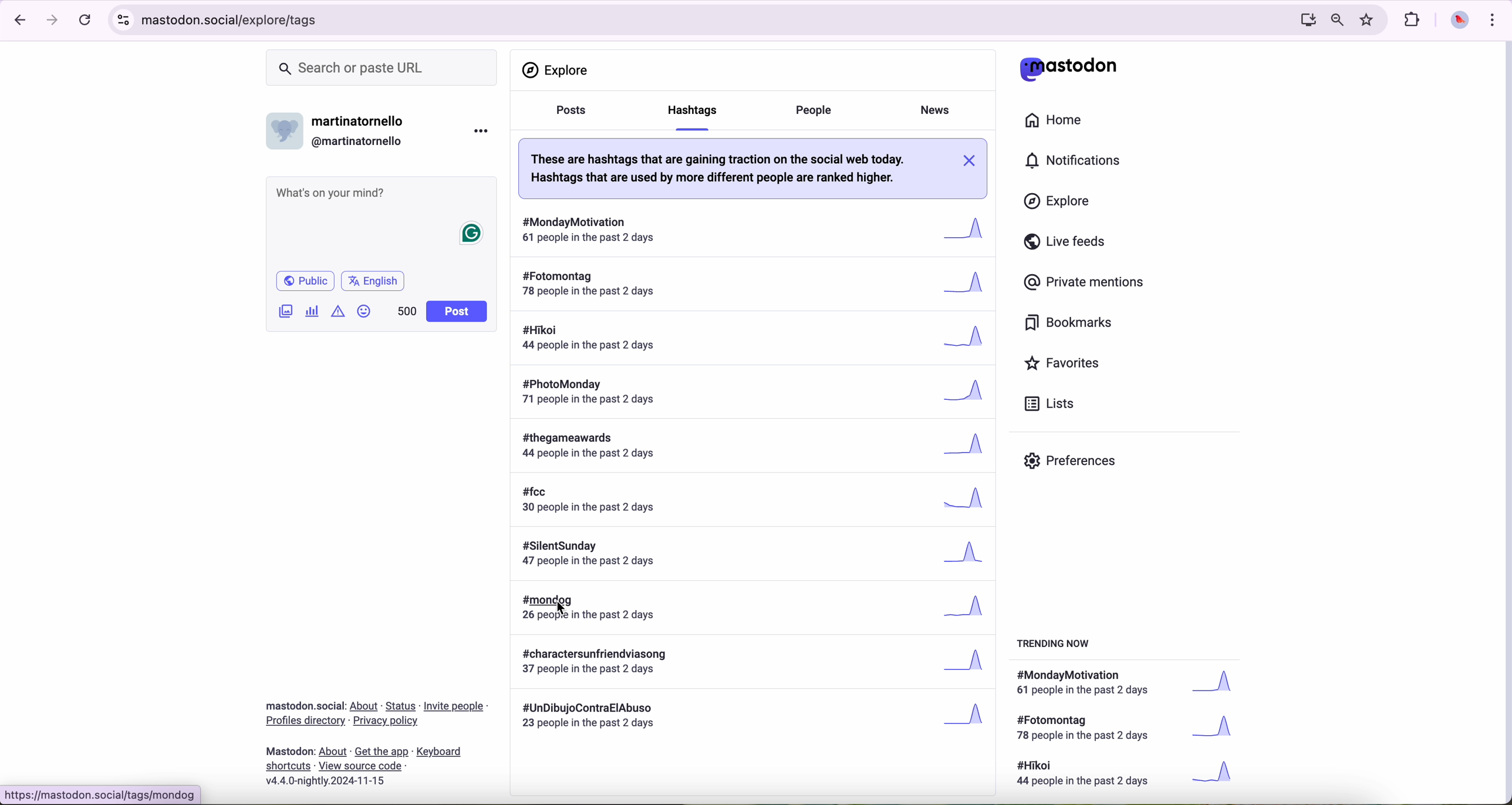 This screenshot has height=805, width=1512. I want to click on more options, so click(480, 133).